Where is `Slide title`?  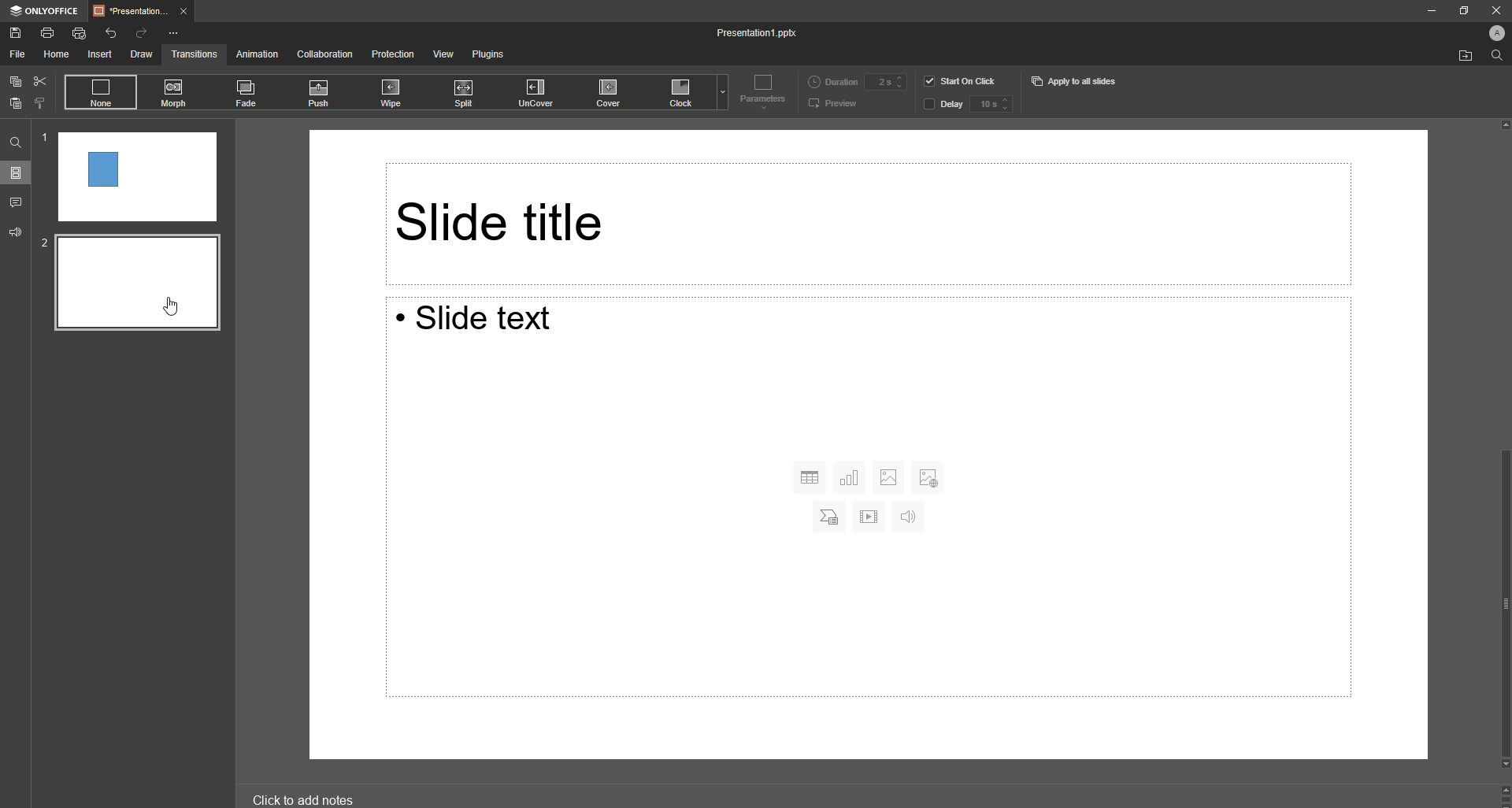 Slide title is located at coordinates (865, 223).